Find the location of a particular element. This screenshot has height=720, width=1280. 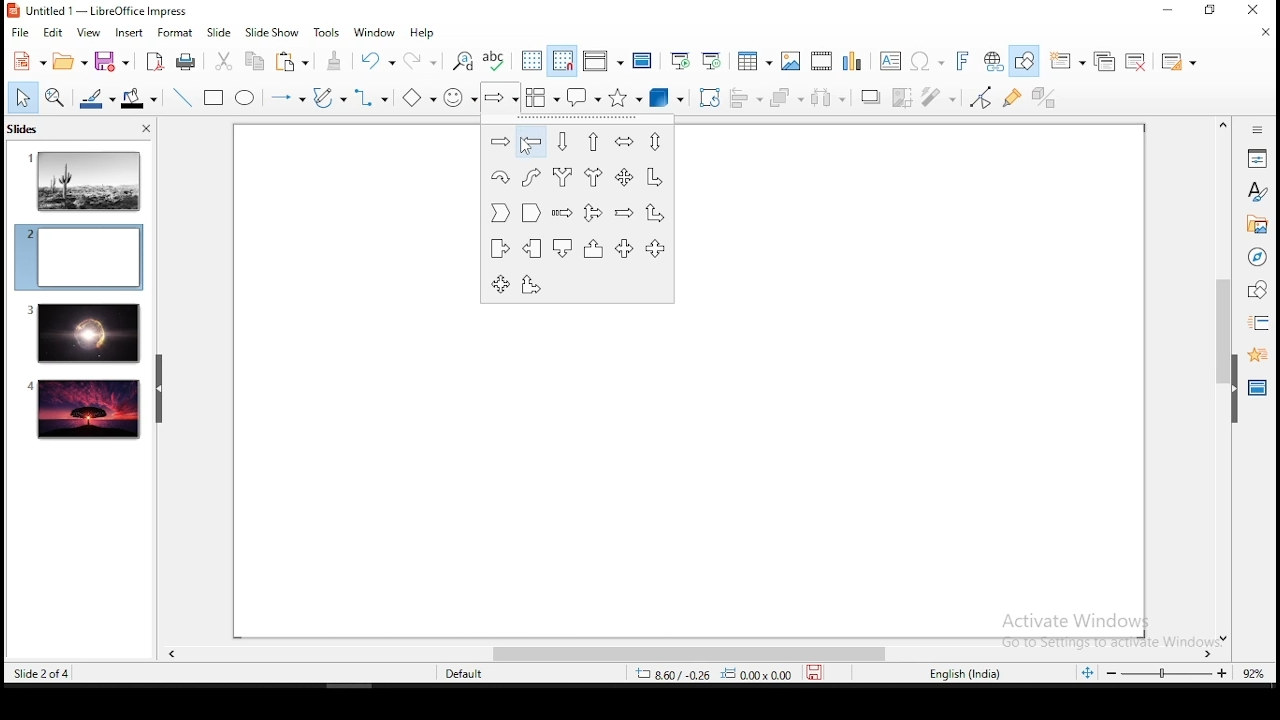

slide transition is located at coordinates (1258, 324).